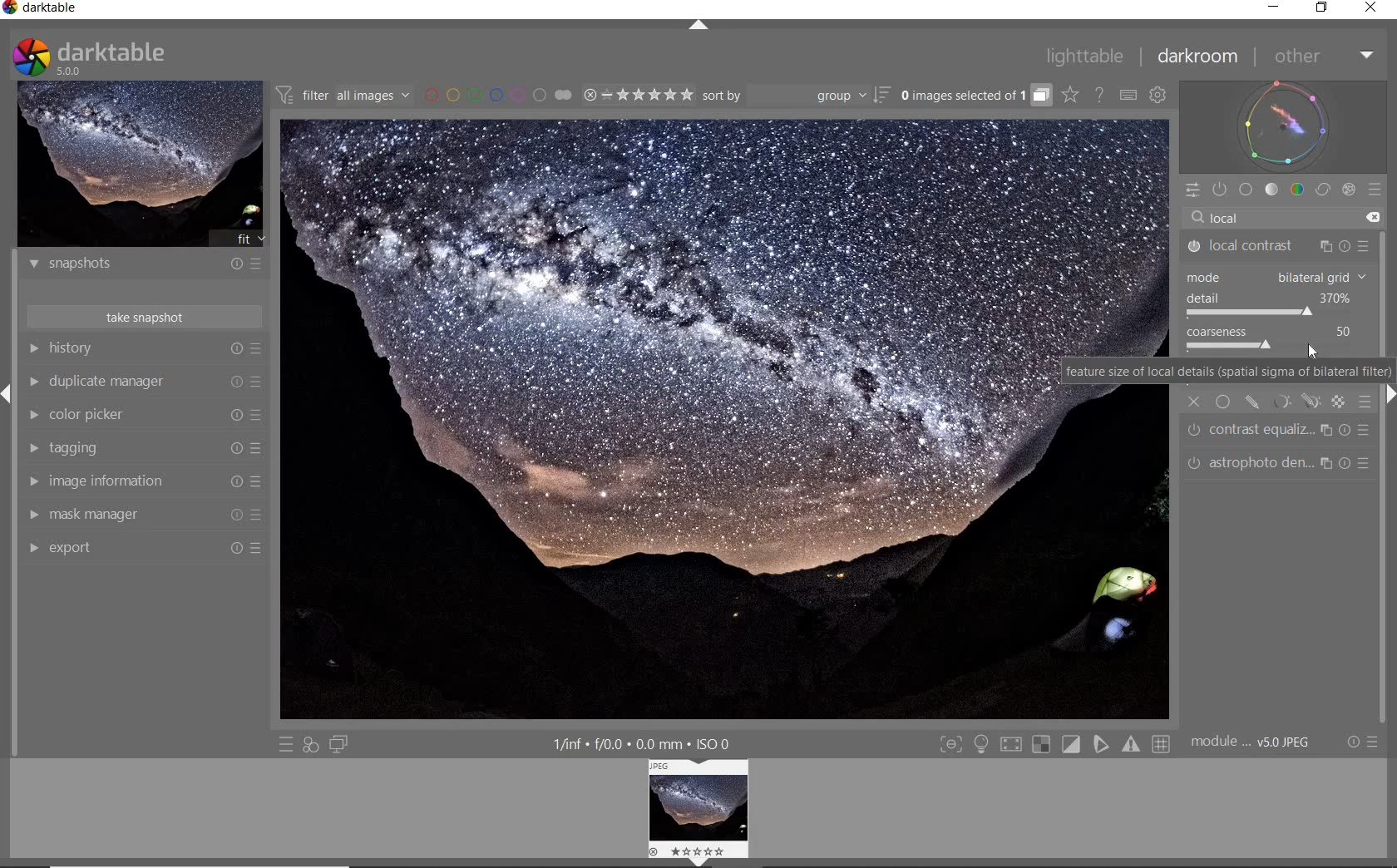 The image size is (1397, 868). I want to click on reset parameters, so click(1349, 462).